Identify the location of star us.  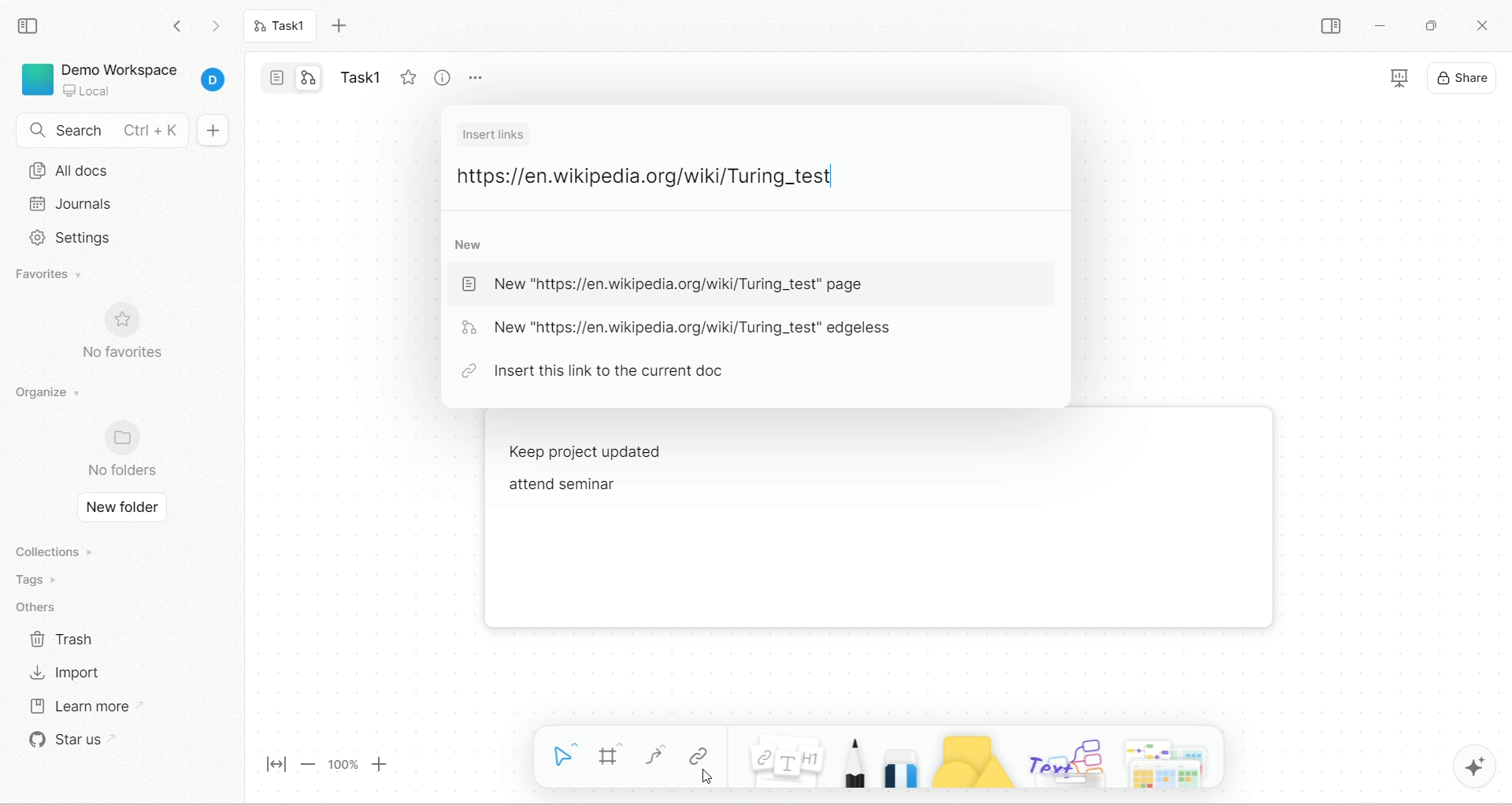
(82, 744).